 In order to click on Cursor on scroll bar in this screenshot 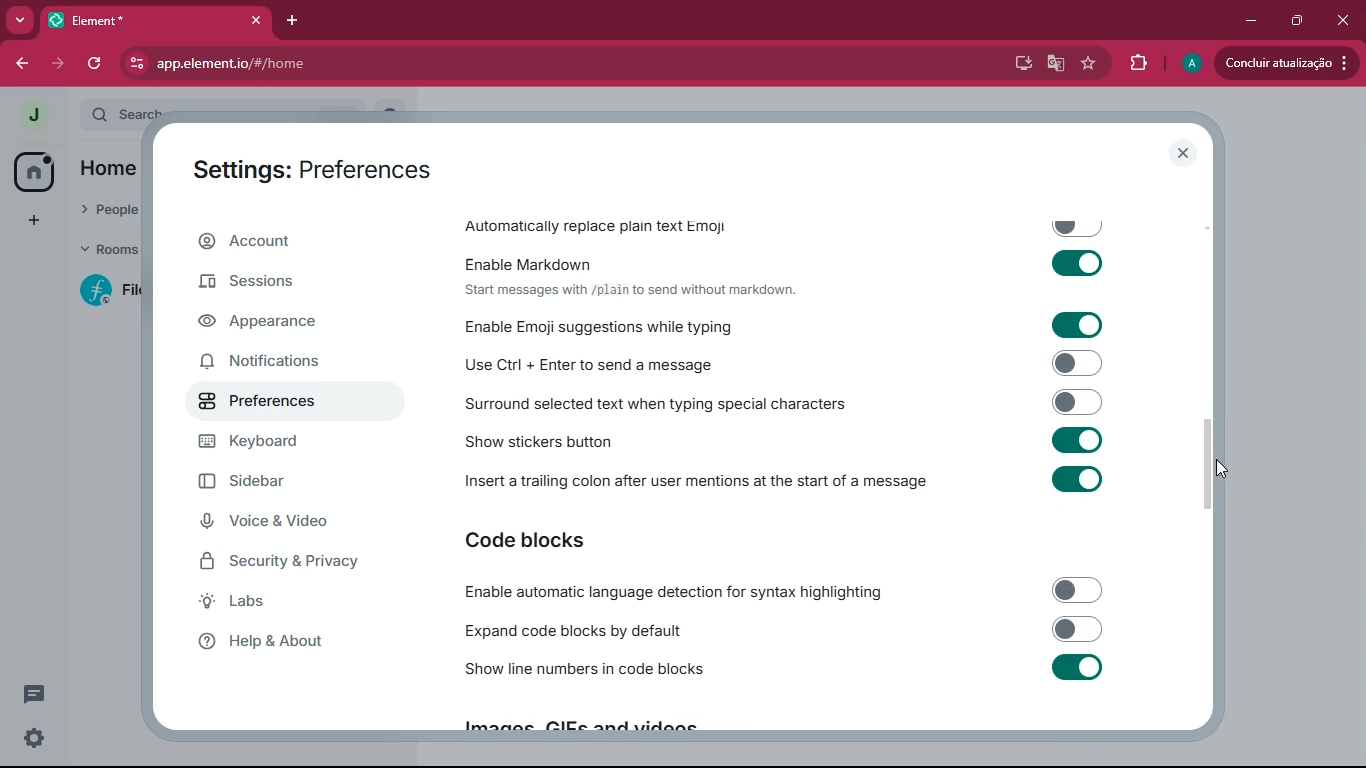, I will do `click(1219, 464)`.